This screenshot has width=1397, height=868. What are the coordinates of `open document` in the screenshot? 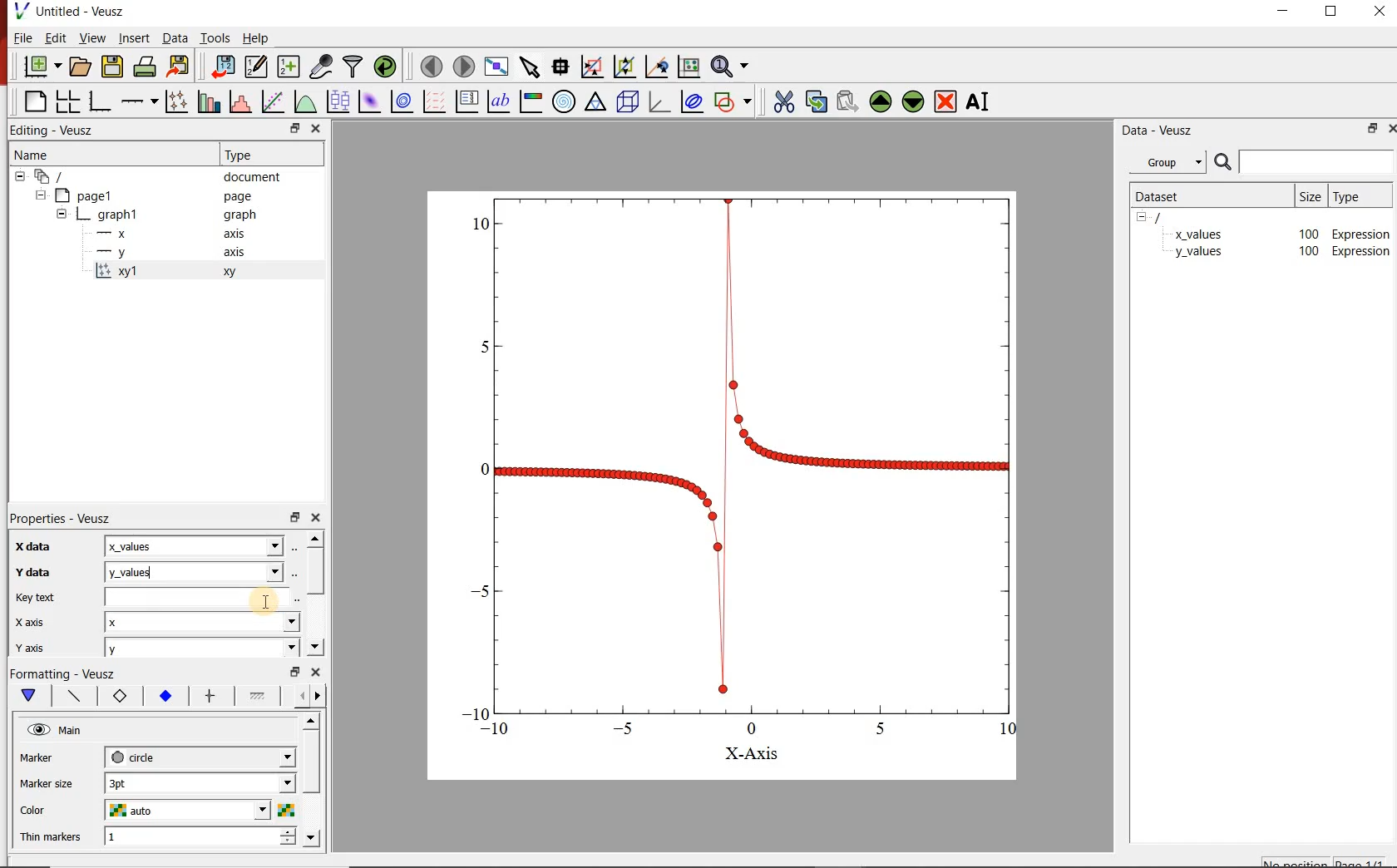 It's located at (81, 66).